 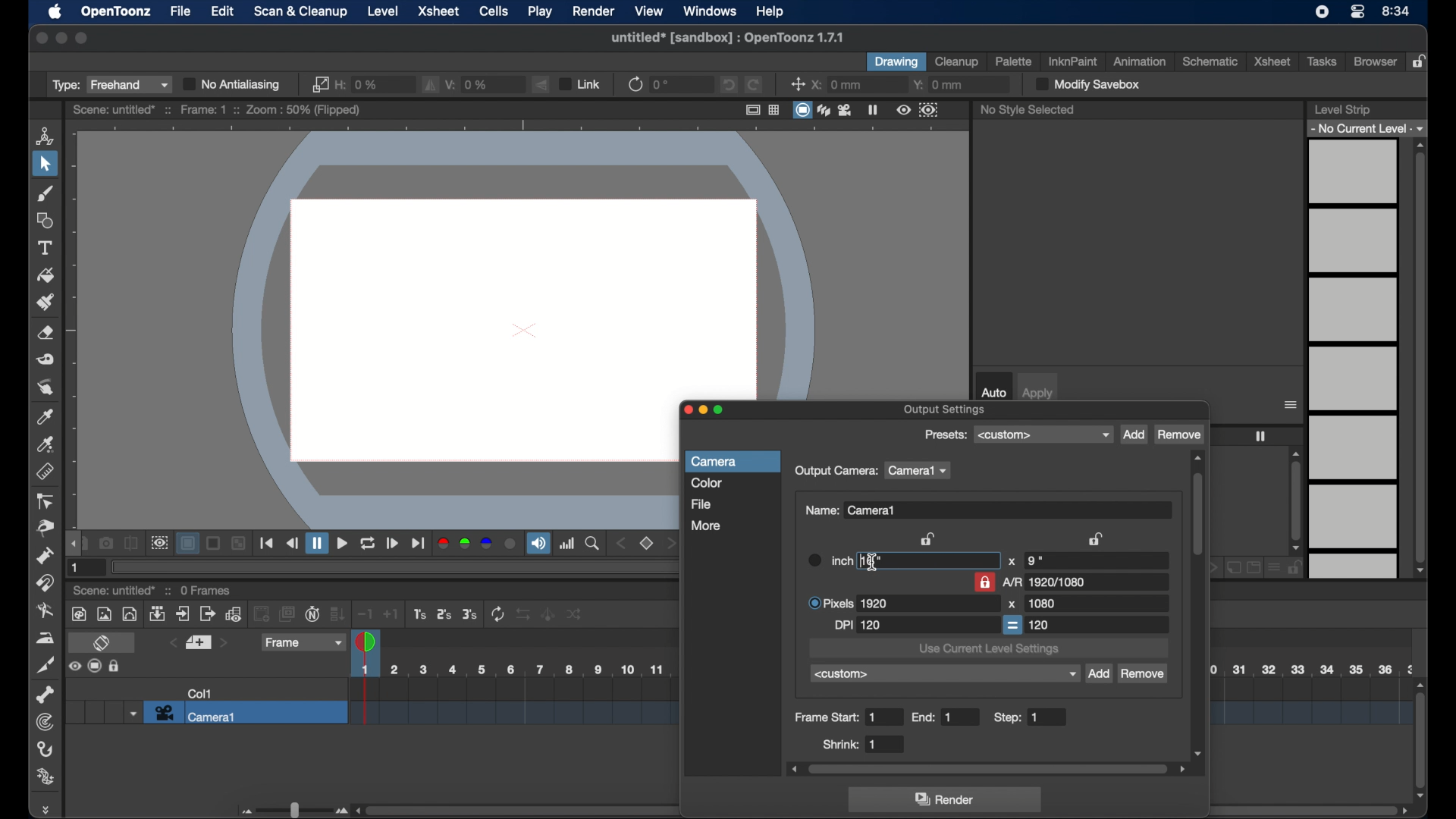 I want to click on draghandle, so click(x=74, y=544).